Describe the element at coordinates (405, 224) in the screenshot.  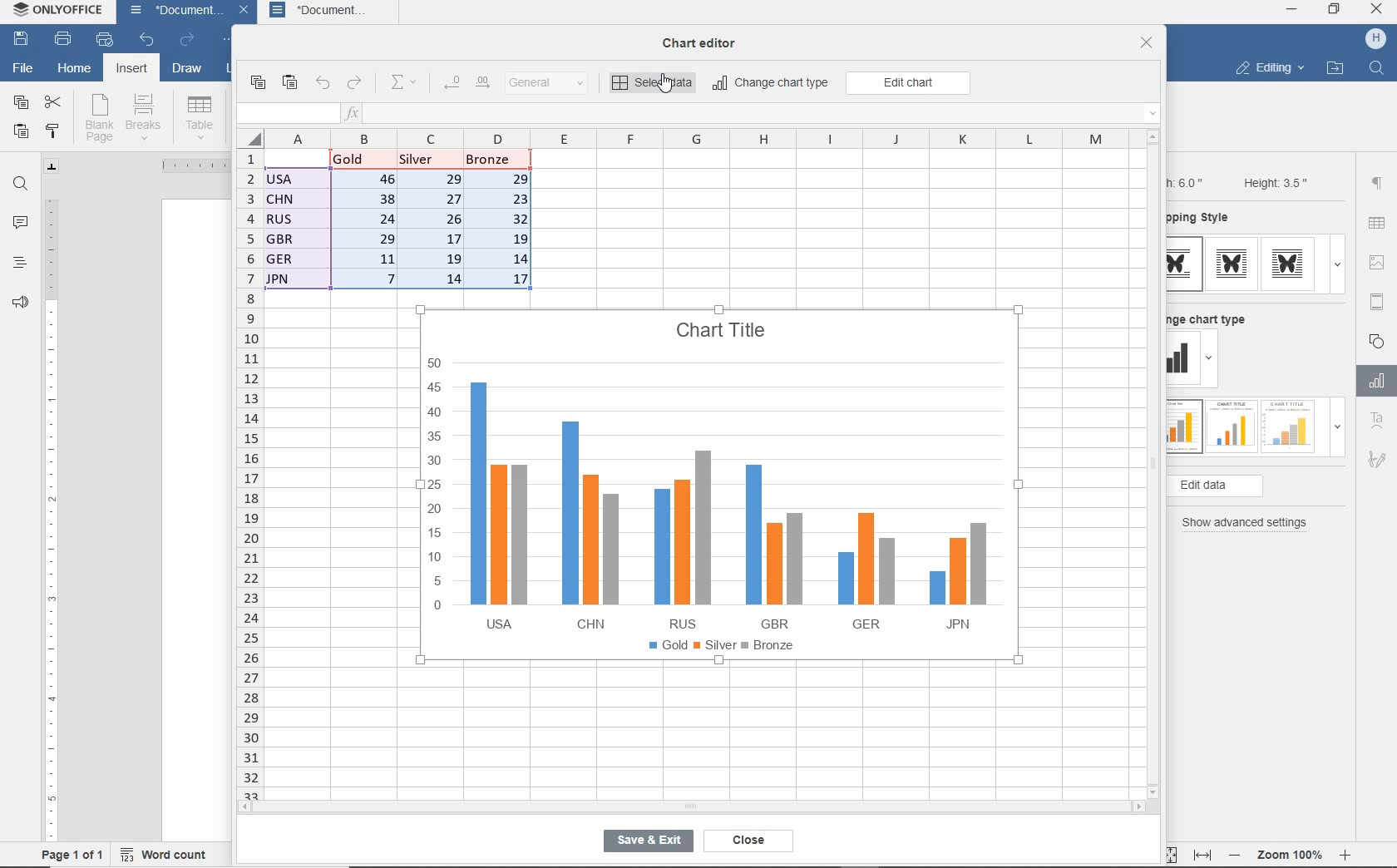
I see `data` at that location.